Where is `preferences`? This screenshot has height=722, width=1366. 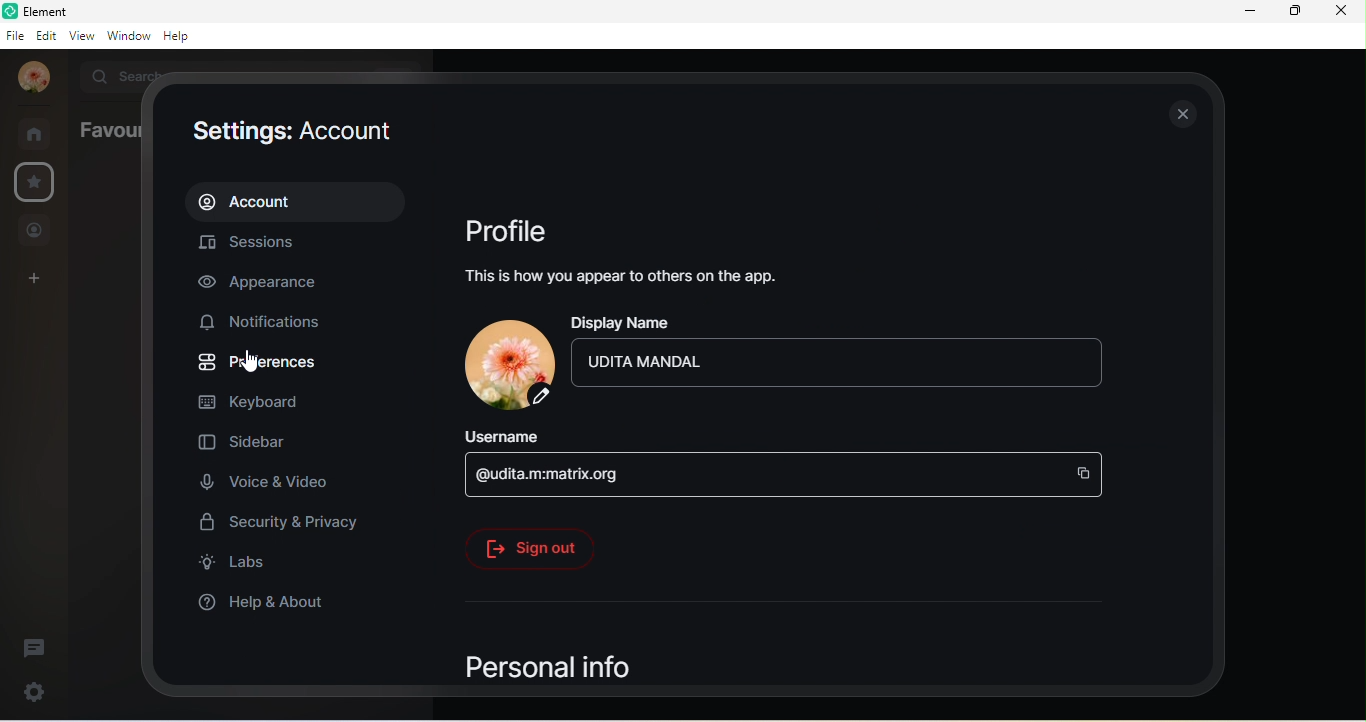 preferences is located at coordinates (259, 362).